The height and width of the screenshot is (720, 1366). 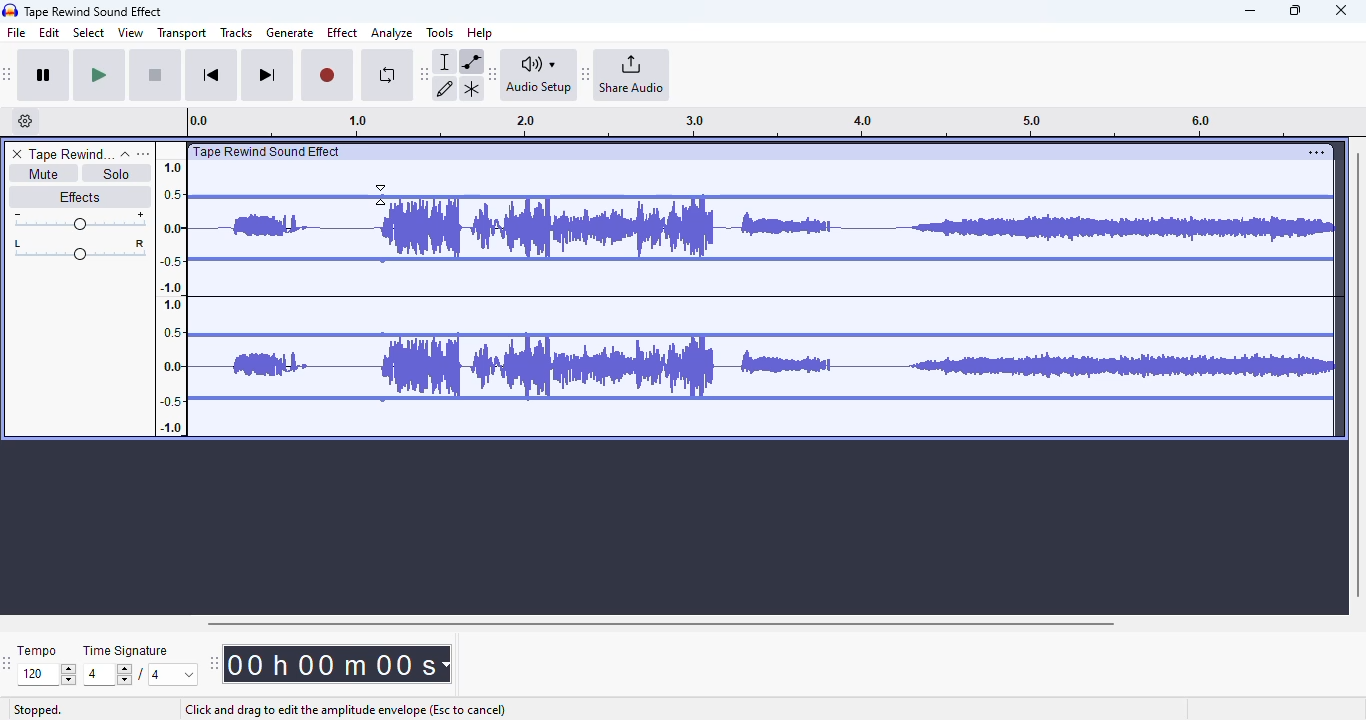 What do you see at coordinates (174, 674) in the screenshot?
I see `Max. time signature options` at bounding box center [174, 674].